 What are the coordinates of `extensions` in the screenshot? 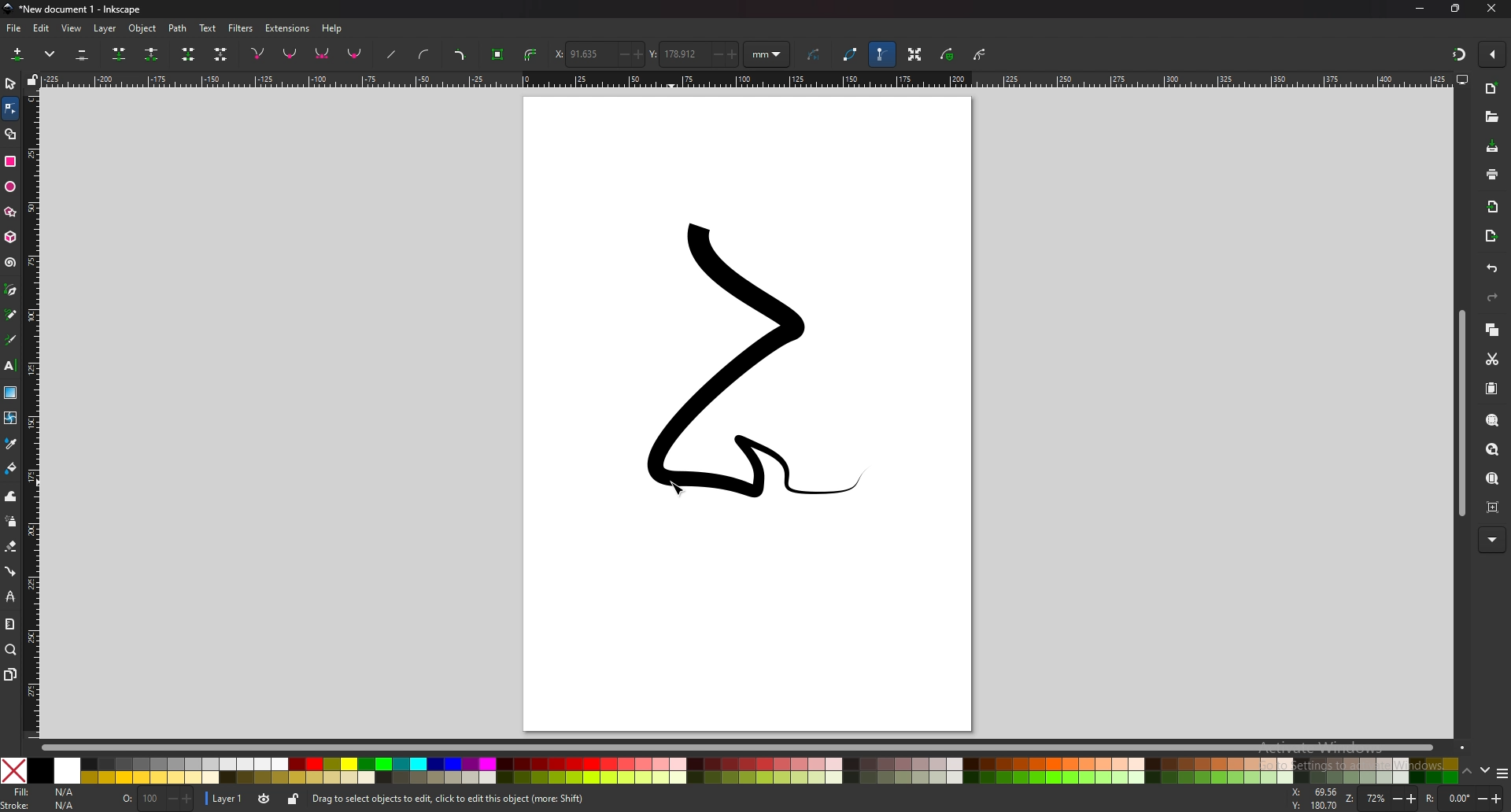 It's located at (286, 28).